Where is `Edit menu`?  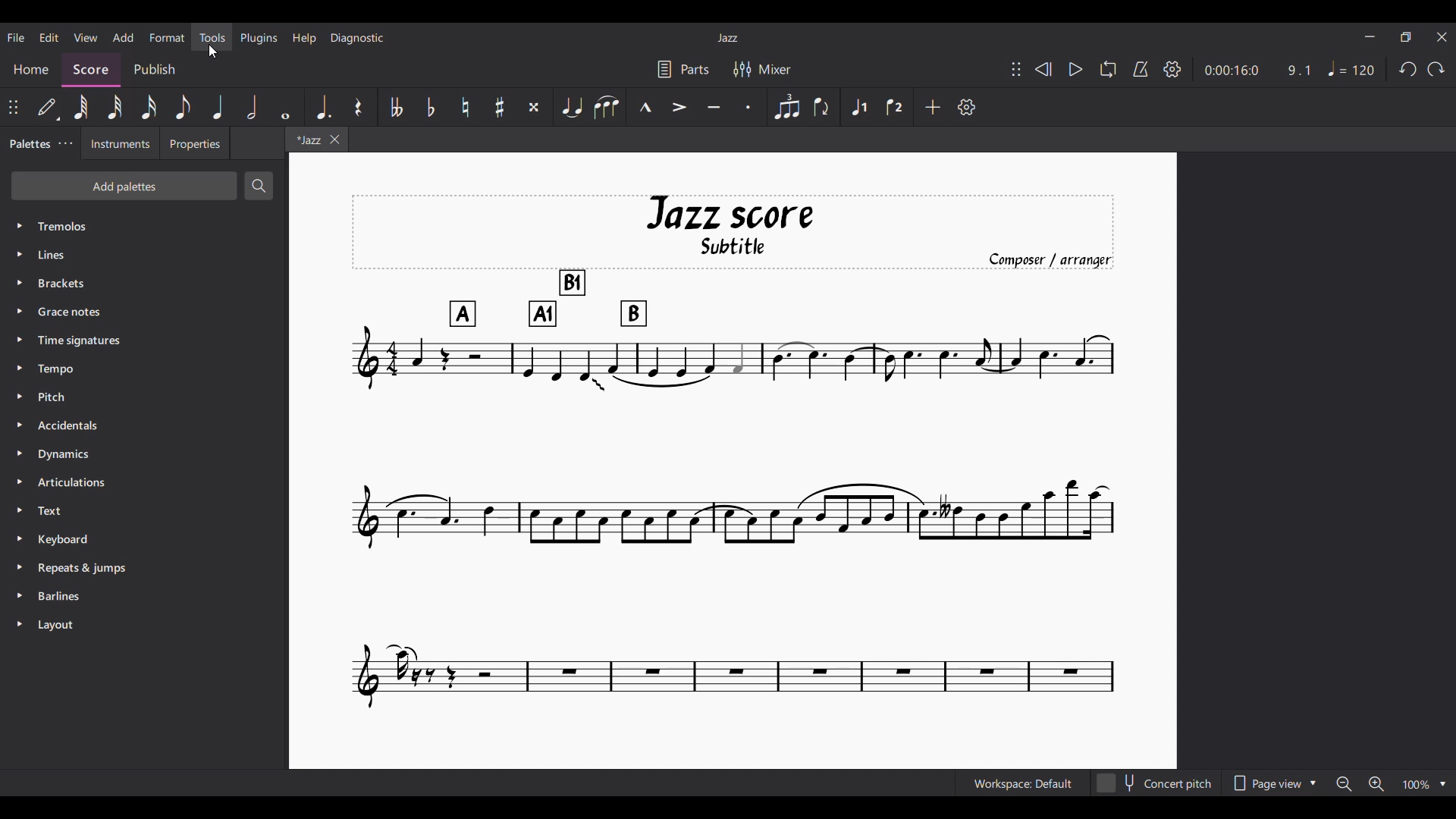
Edit menu is located at coordinates (49, 37).